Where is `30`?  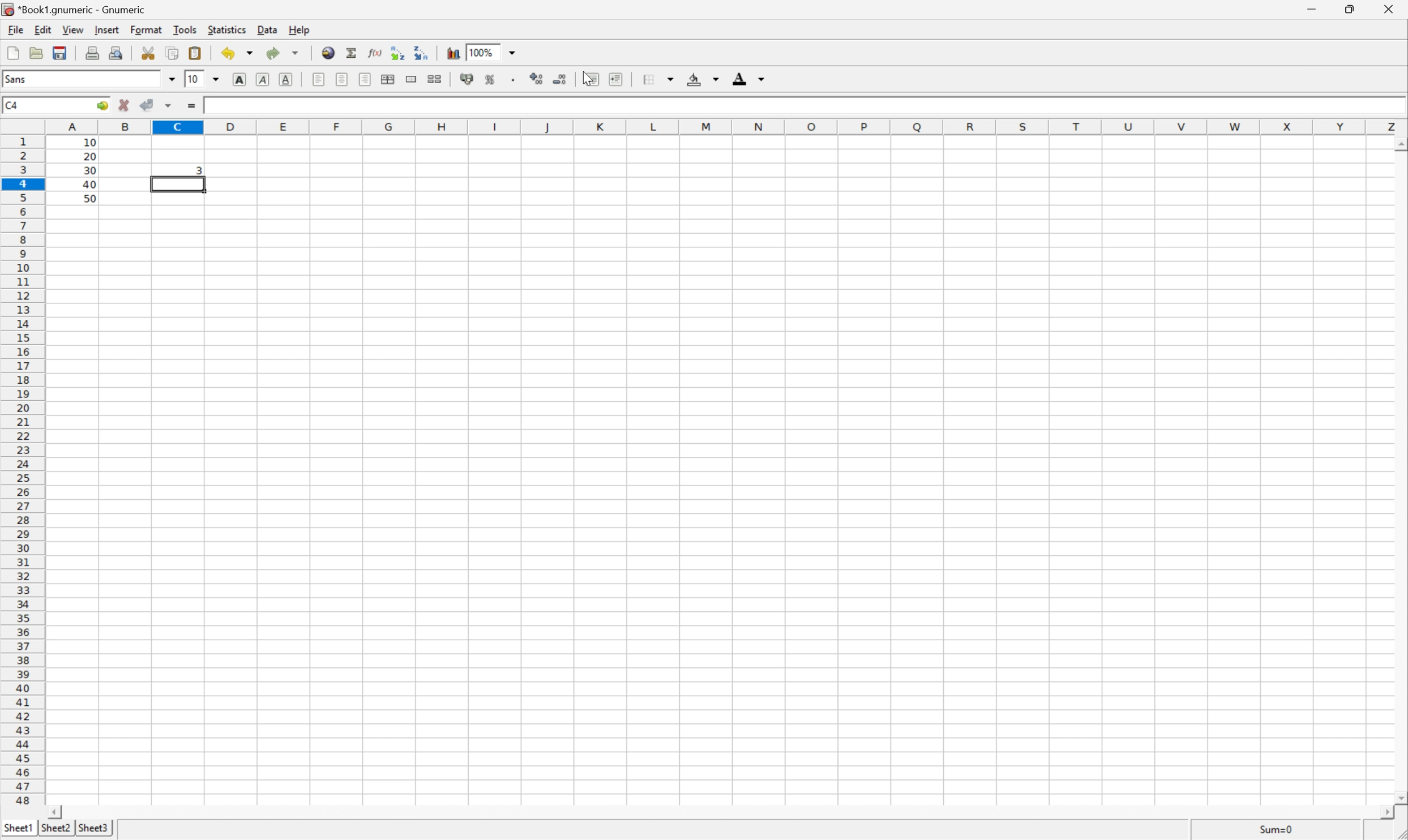
30 is located at coordinates (90, 170).